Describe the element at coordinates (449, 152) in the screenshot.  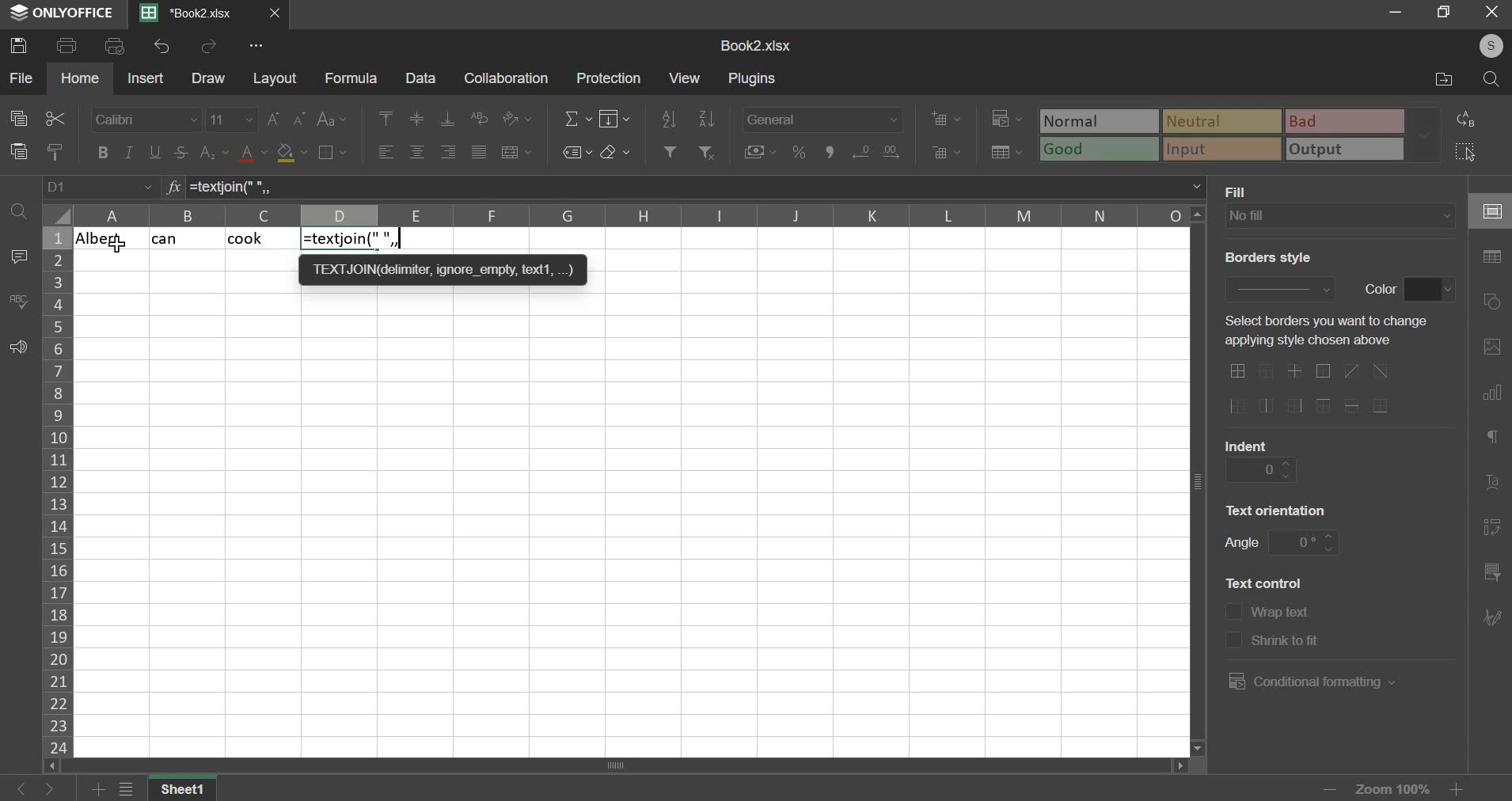
I see `align right` at that location.